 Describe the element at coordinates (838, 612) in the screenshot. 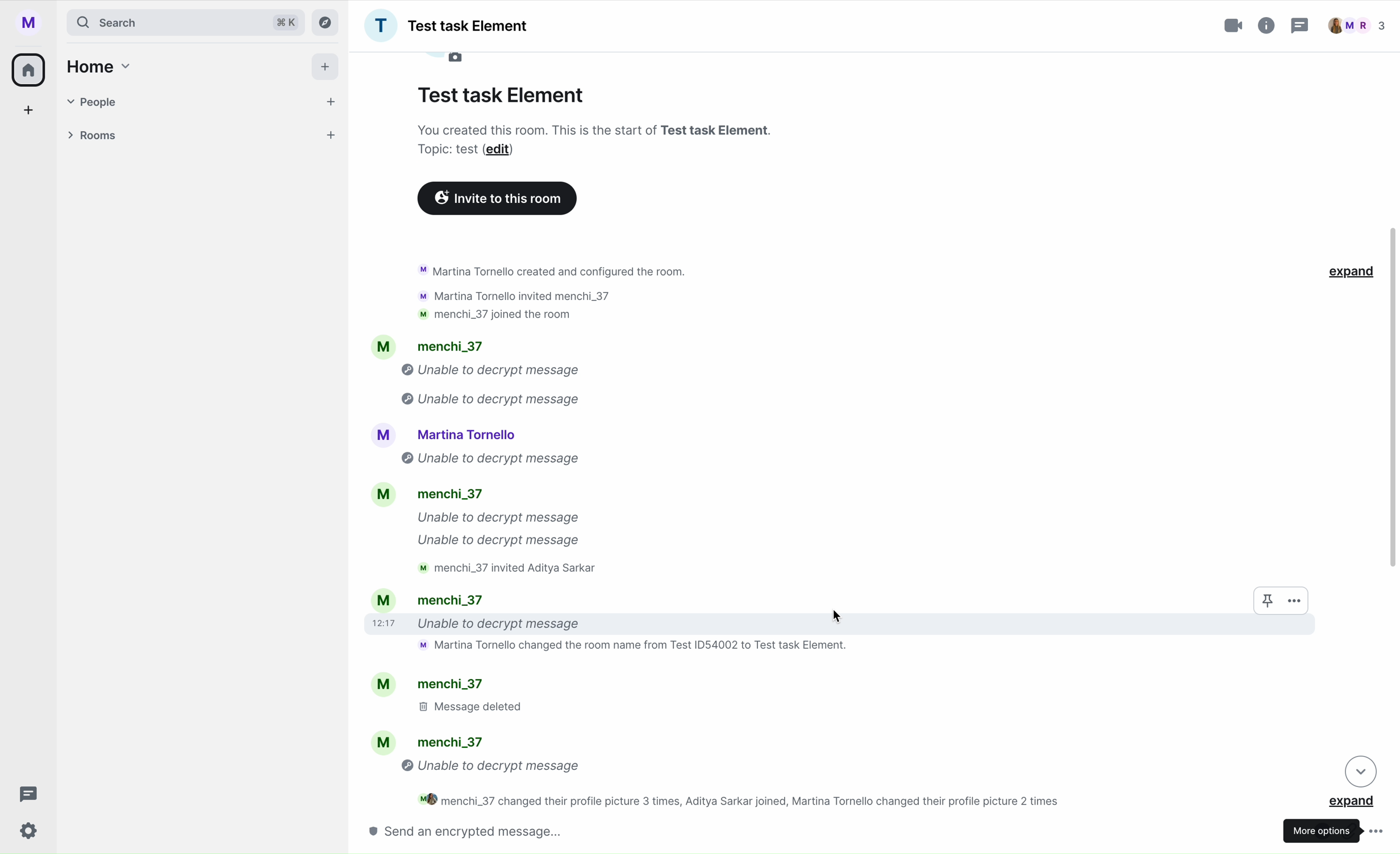

I see `cursor` at that location.